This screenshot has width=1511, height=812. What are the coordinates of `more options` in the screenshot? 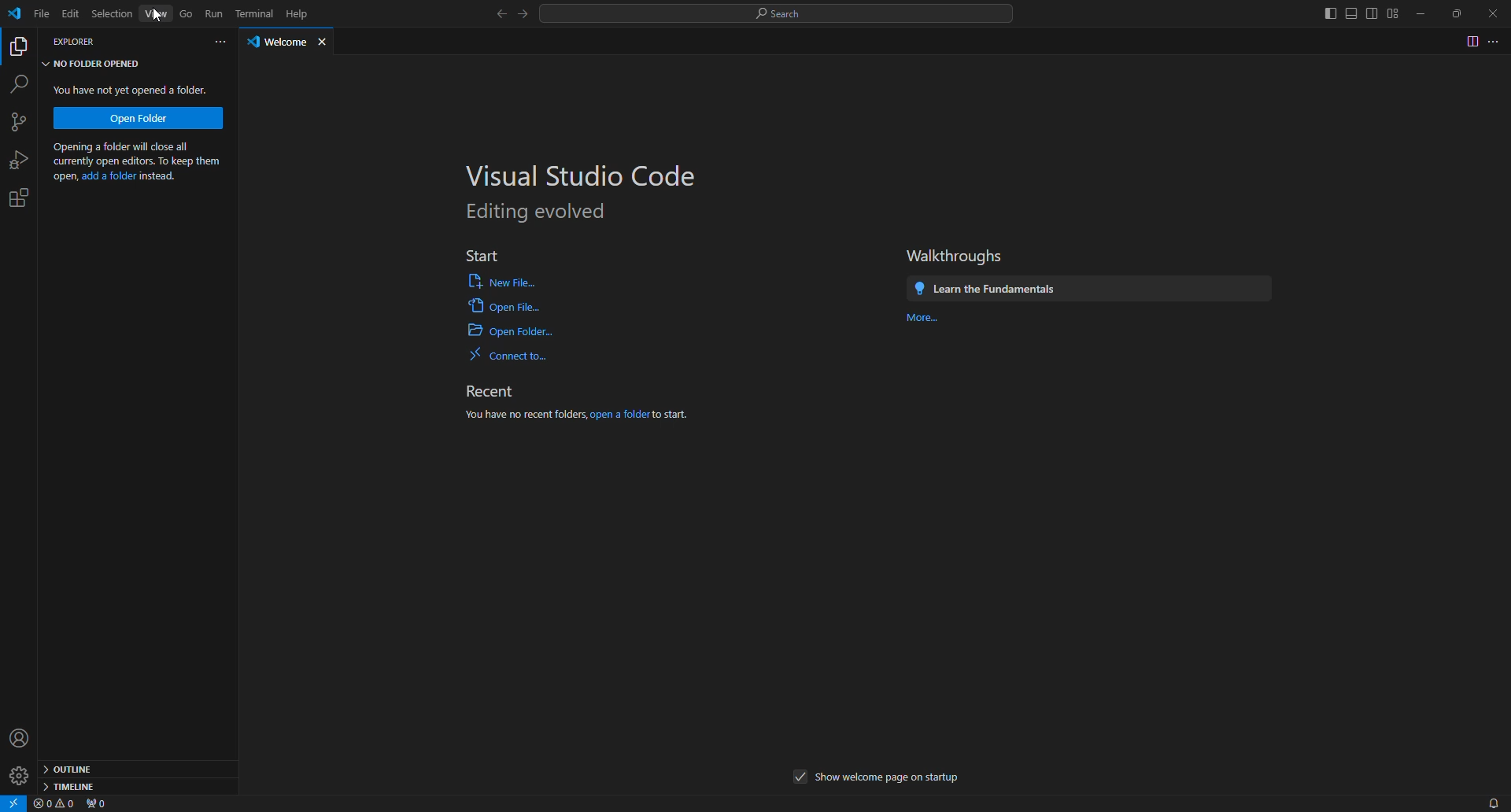 It's located at (1498, 42).